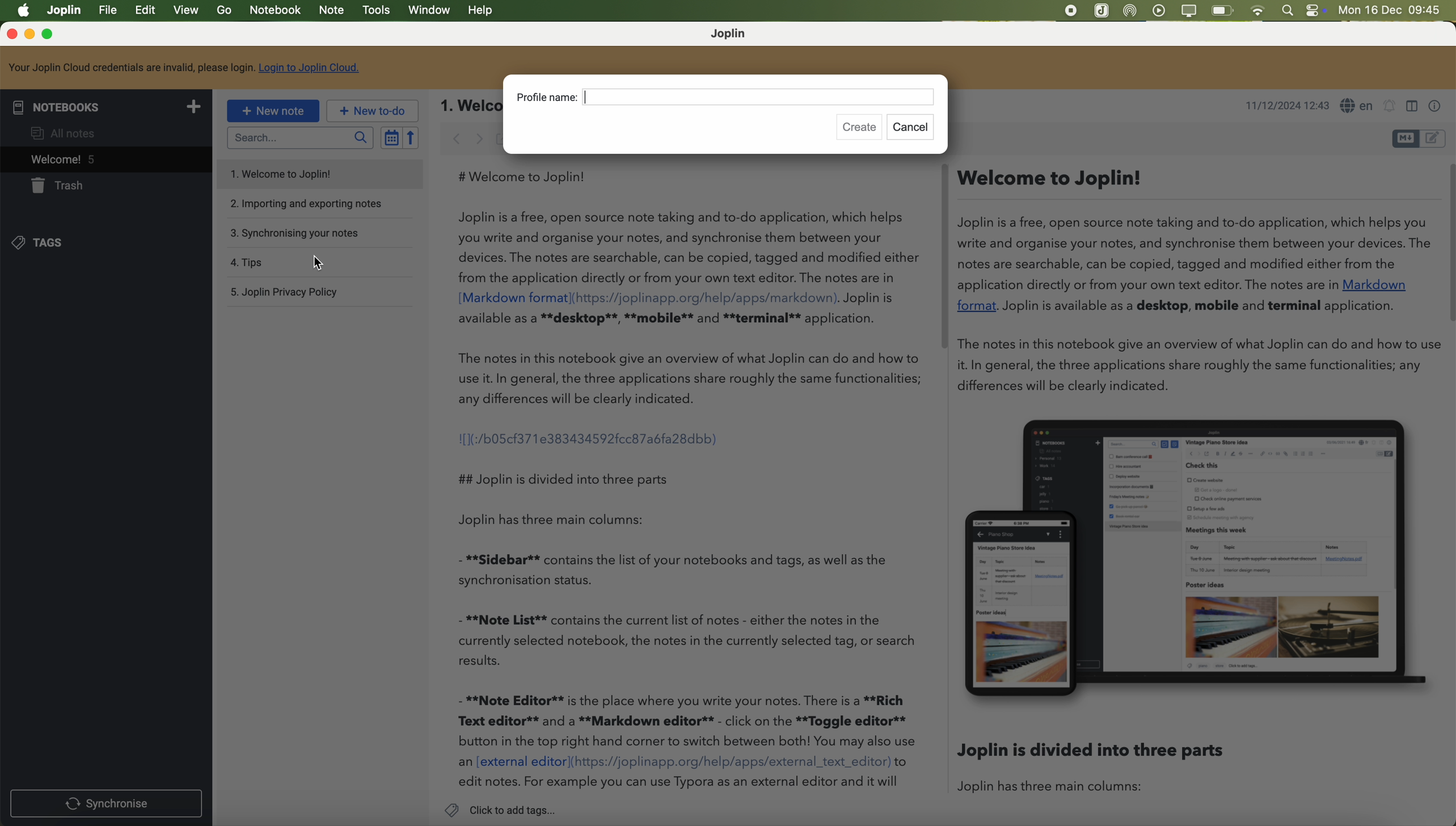 This screenshot has height=826, width=1456. I want to click on 3. Synchronising your notes, so click(297, 233).